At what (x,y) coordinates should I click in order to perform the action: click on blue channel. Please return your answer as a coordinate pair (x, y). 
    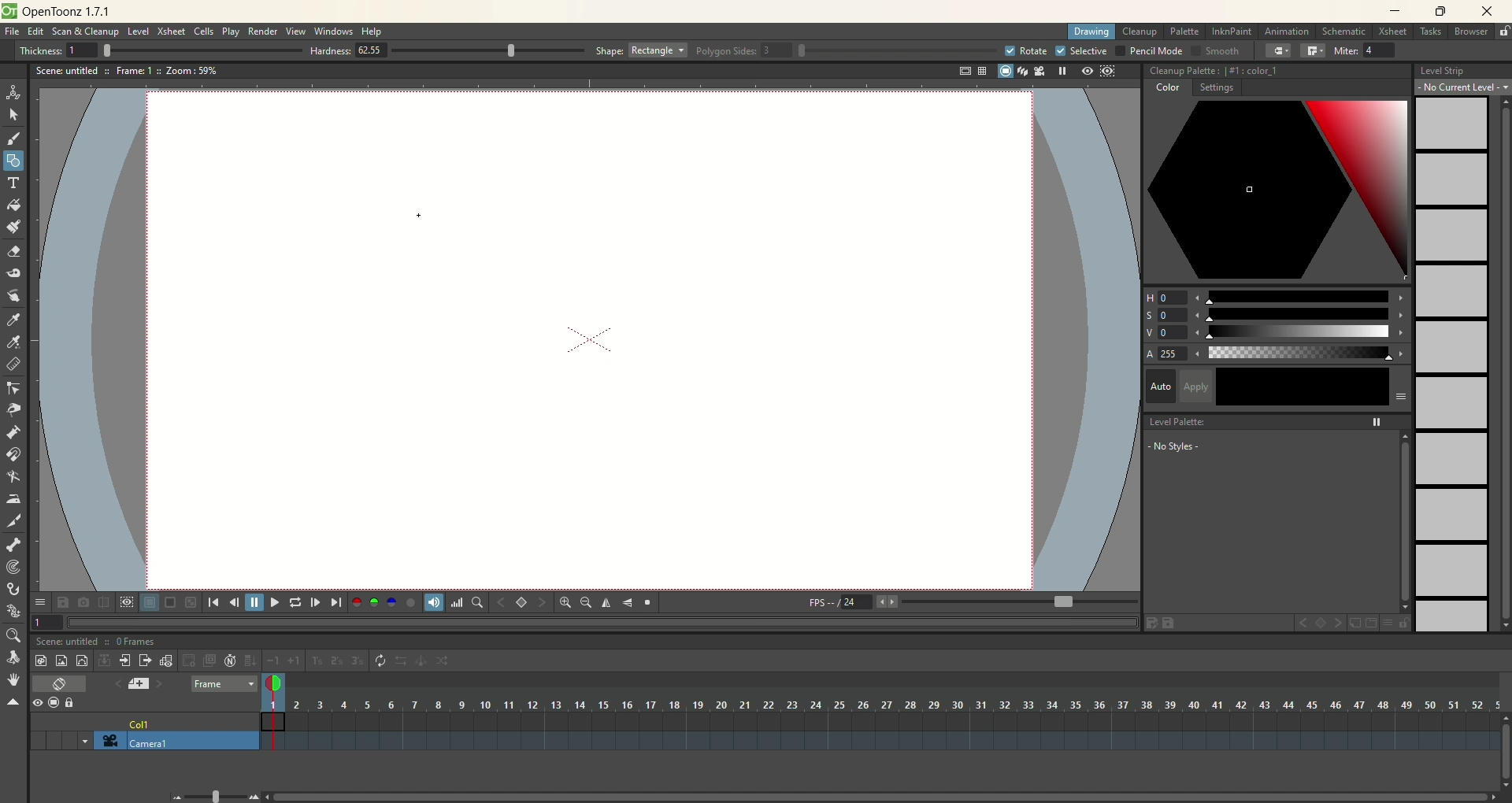
    Looking at the image, I should click on (389, 601).